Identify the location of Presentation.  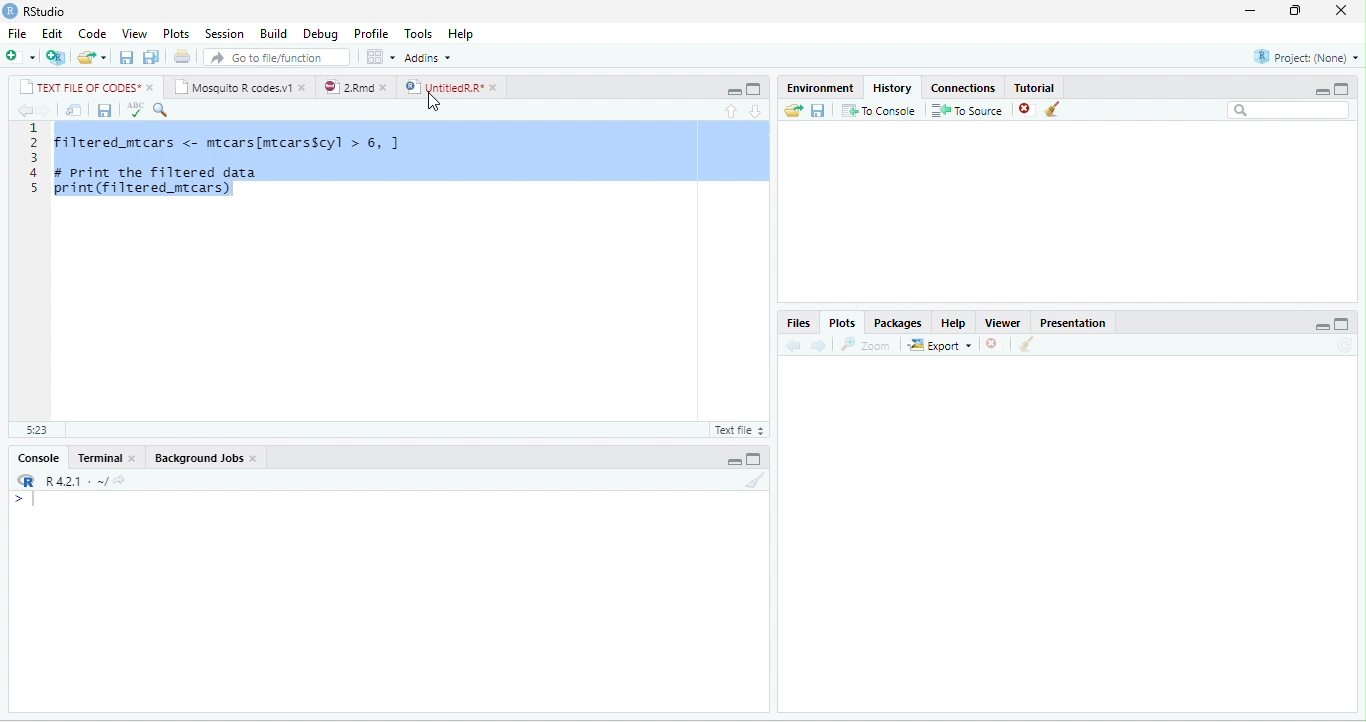
(1072, 323).